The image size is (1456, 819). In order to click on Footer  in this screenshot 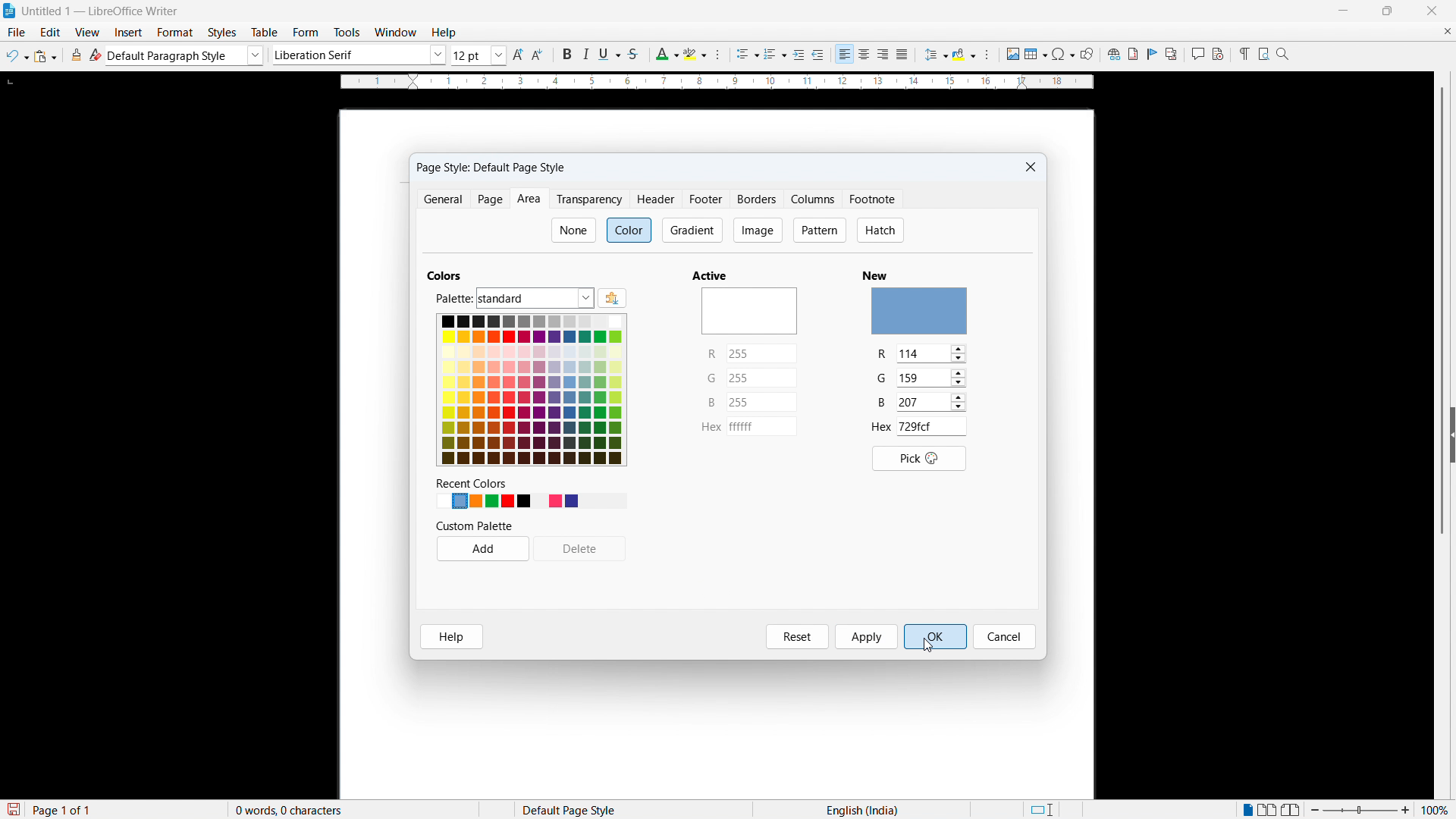, I will do `click(707, 199)`.